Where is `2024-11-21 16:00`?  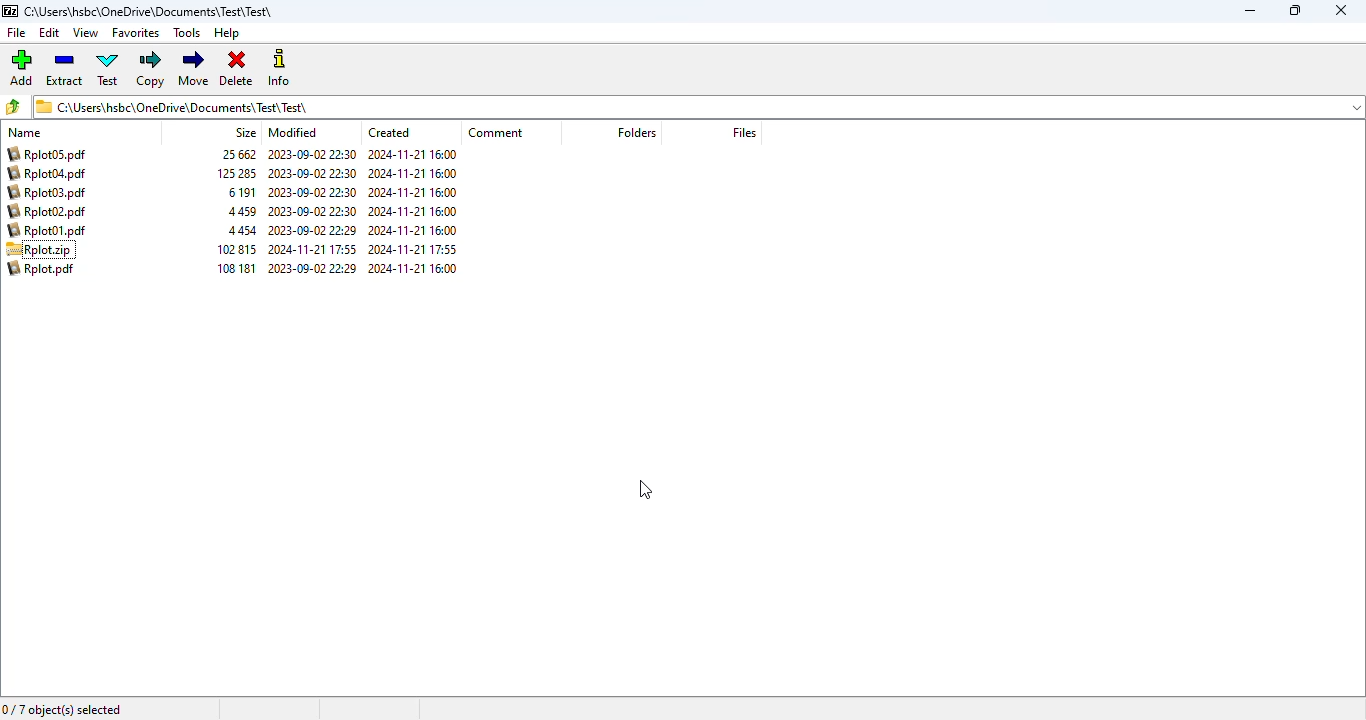
2024-11-21 16:00 is located at coordinates (414, 230).